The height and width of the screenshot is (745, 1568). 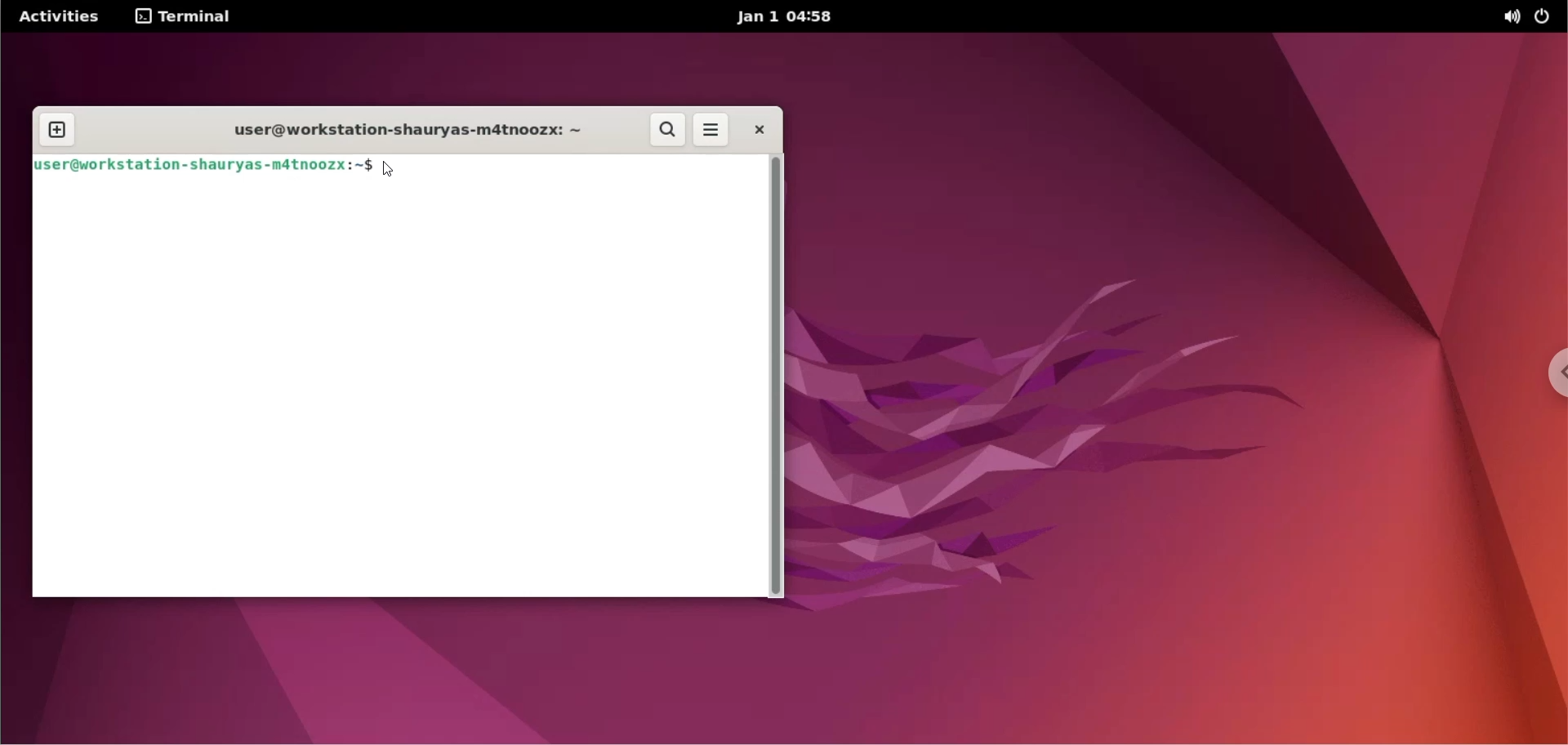 I want to click on search, so click(x=669, y=131).